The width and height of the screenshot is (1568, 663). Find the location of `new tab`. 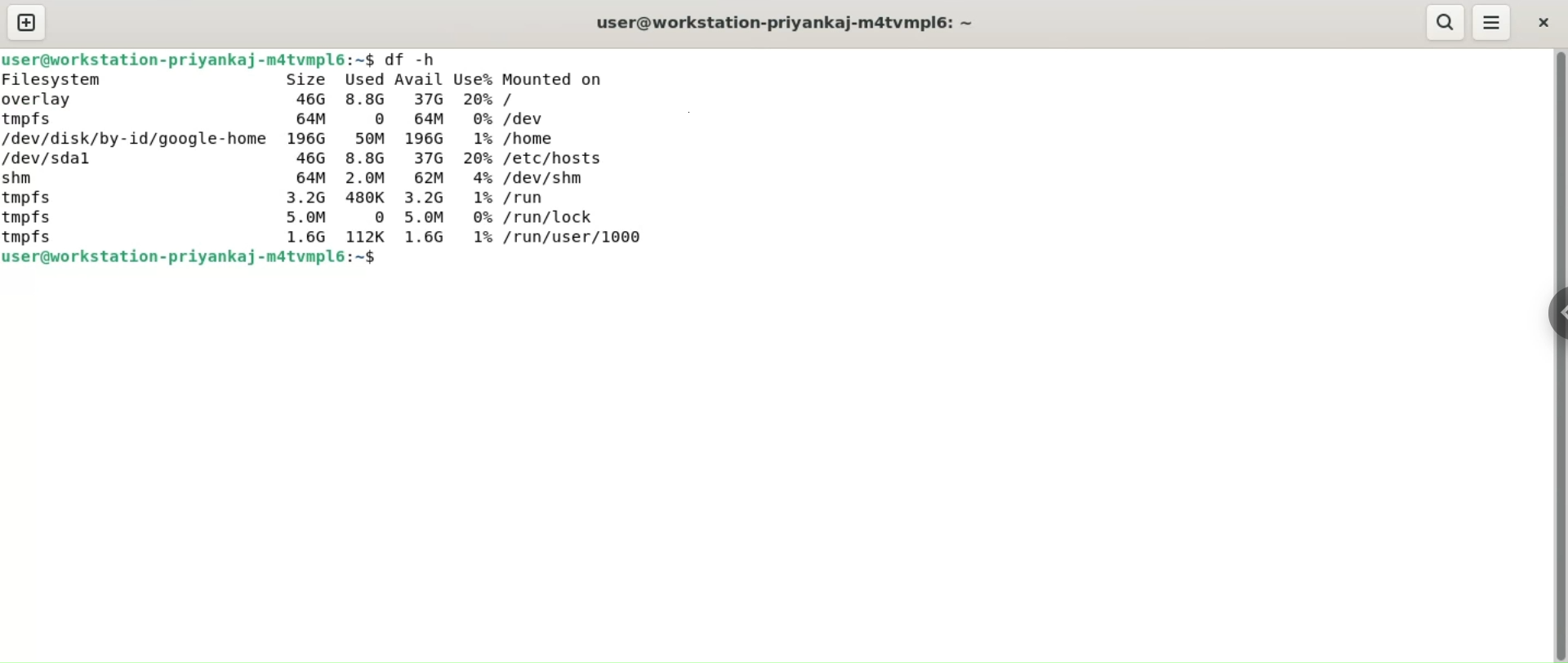

new tab is located at coordinates (27, 23).